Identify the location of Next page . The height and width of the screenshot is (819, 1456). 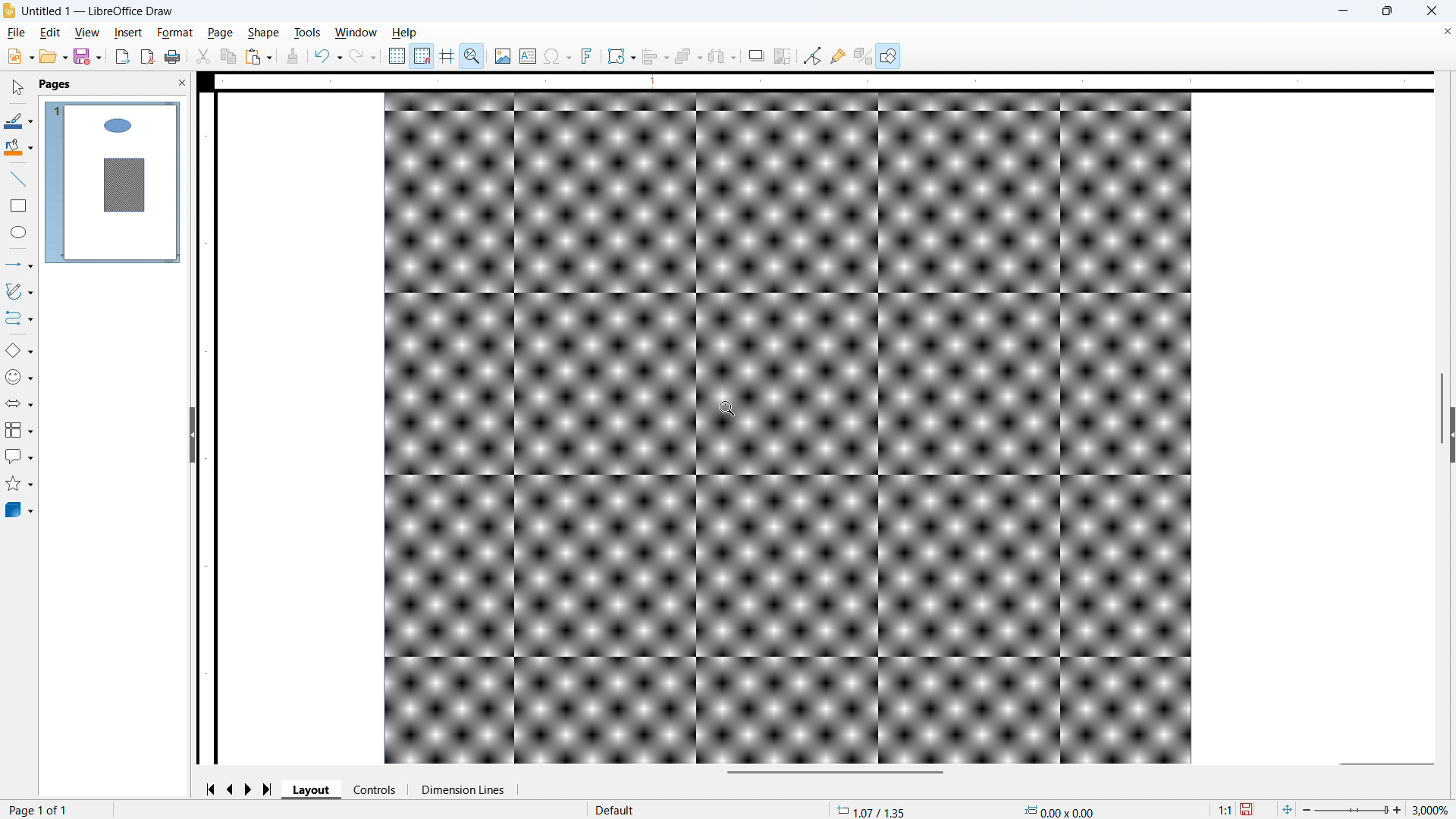
(251, 789).